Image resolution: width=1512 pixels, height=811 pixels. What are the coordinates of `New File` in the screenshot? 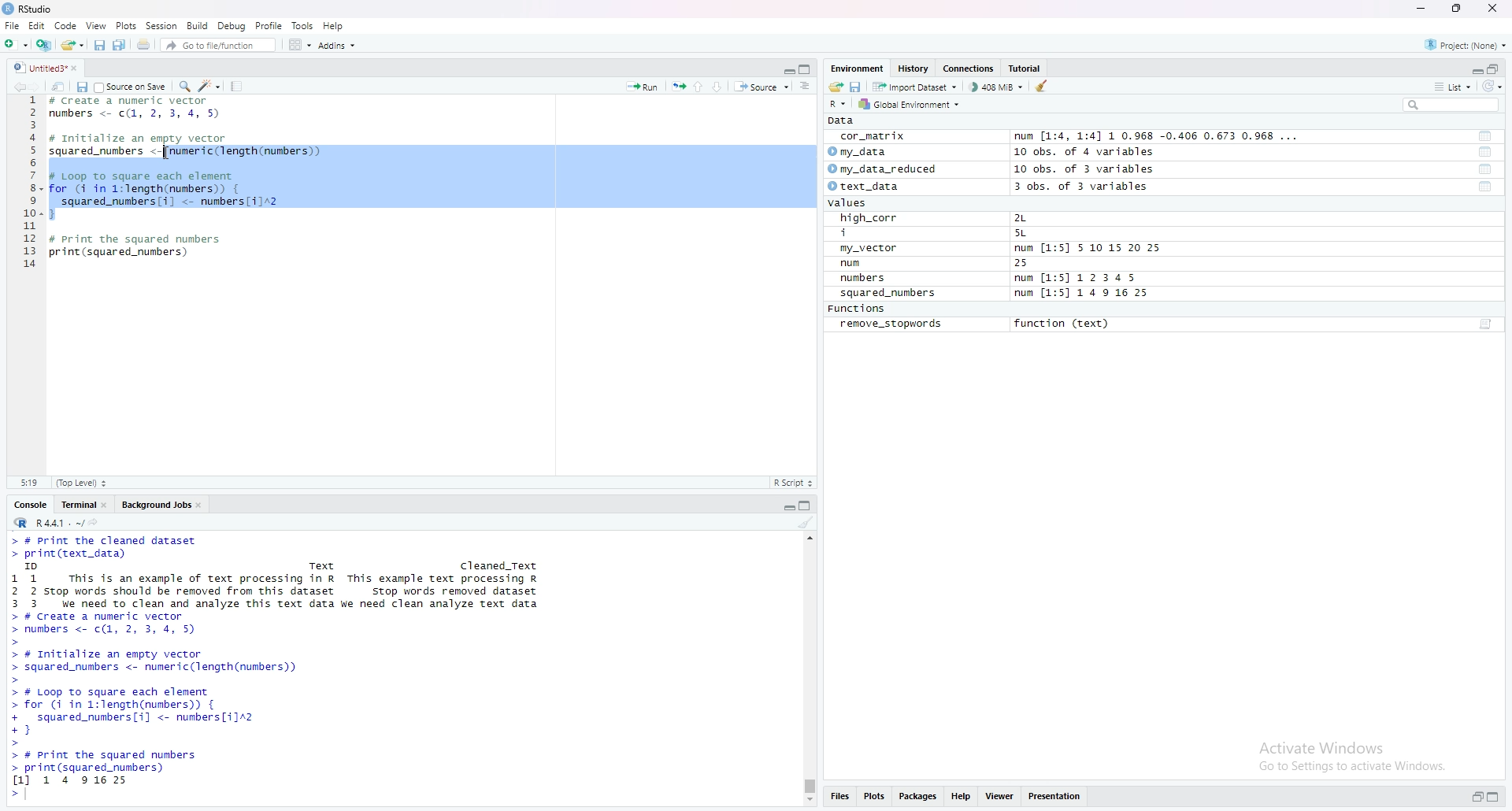 It's located at (15, 43).